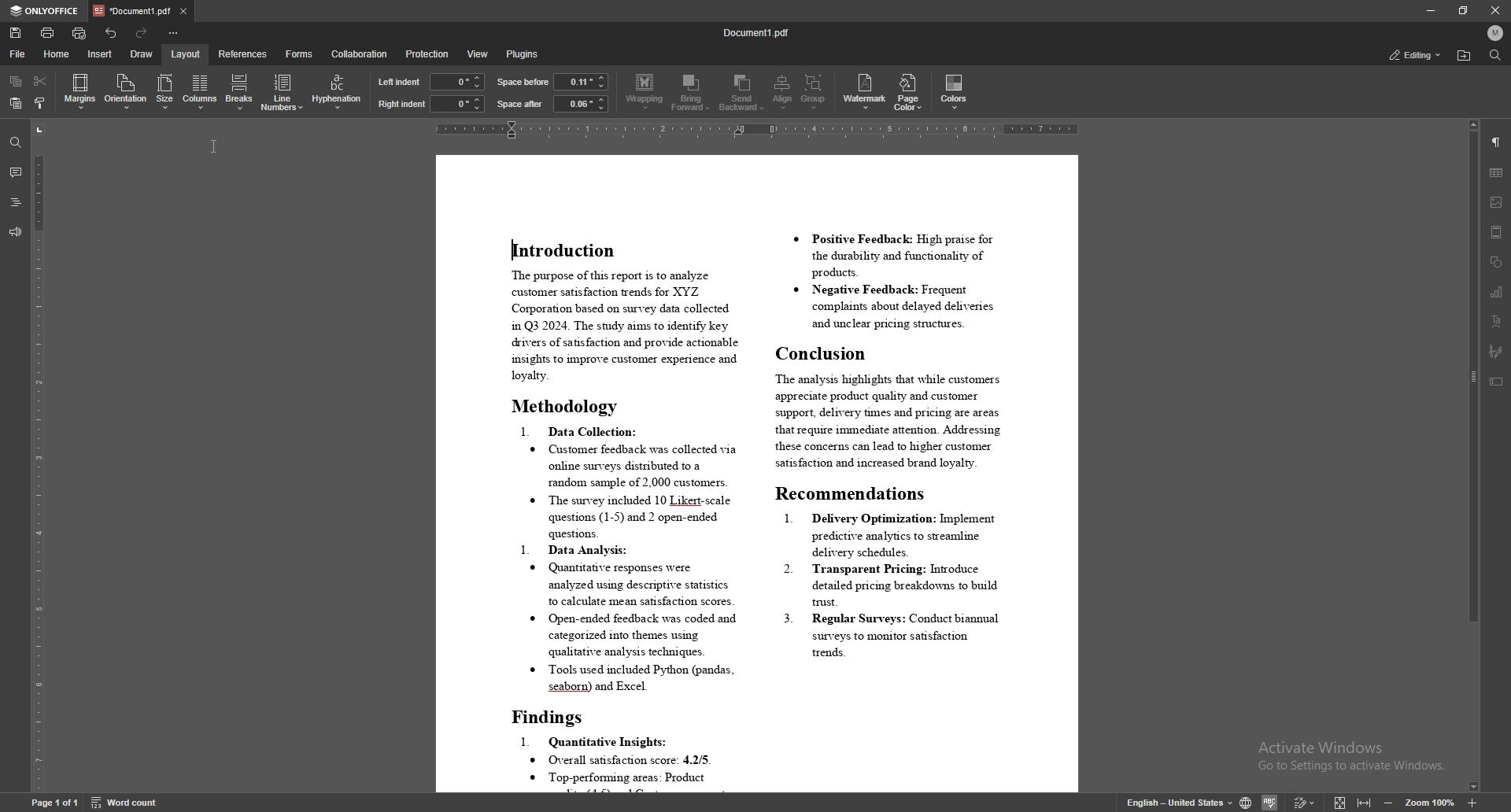 This screenshot has height=812, width=1511. Describe the element at coordinates (1391, 801) in the screenshot. I see `zoom out` at that location.